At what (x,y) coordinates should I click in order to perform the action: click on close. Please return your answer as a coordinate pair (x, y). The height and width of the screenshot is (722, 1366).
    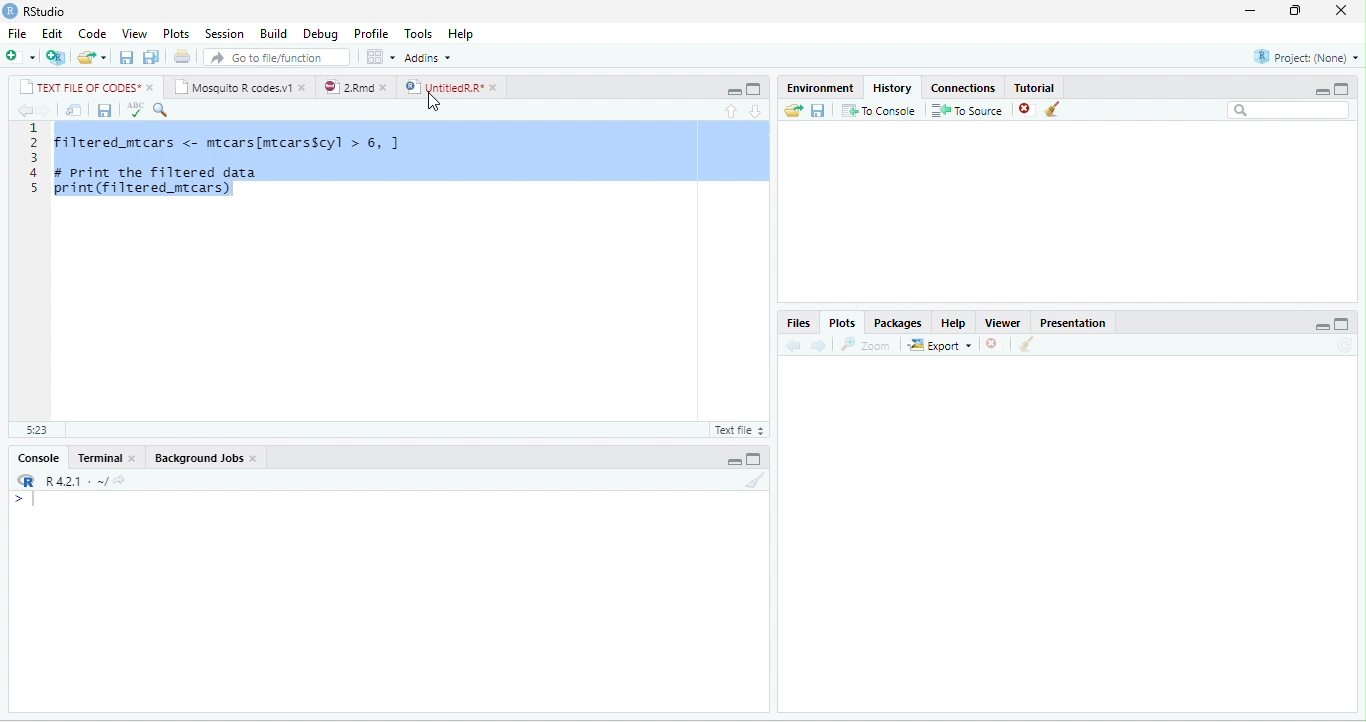
    Looking at the image, I should click on (134, 457).